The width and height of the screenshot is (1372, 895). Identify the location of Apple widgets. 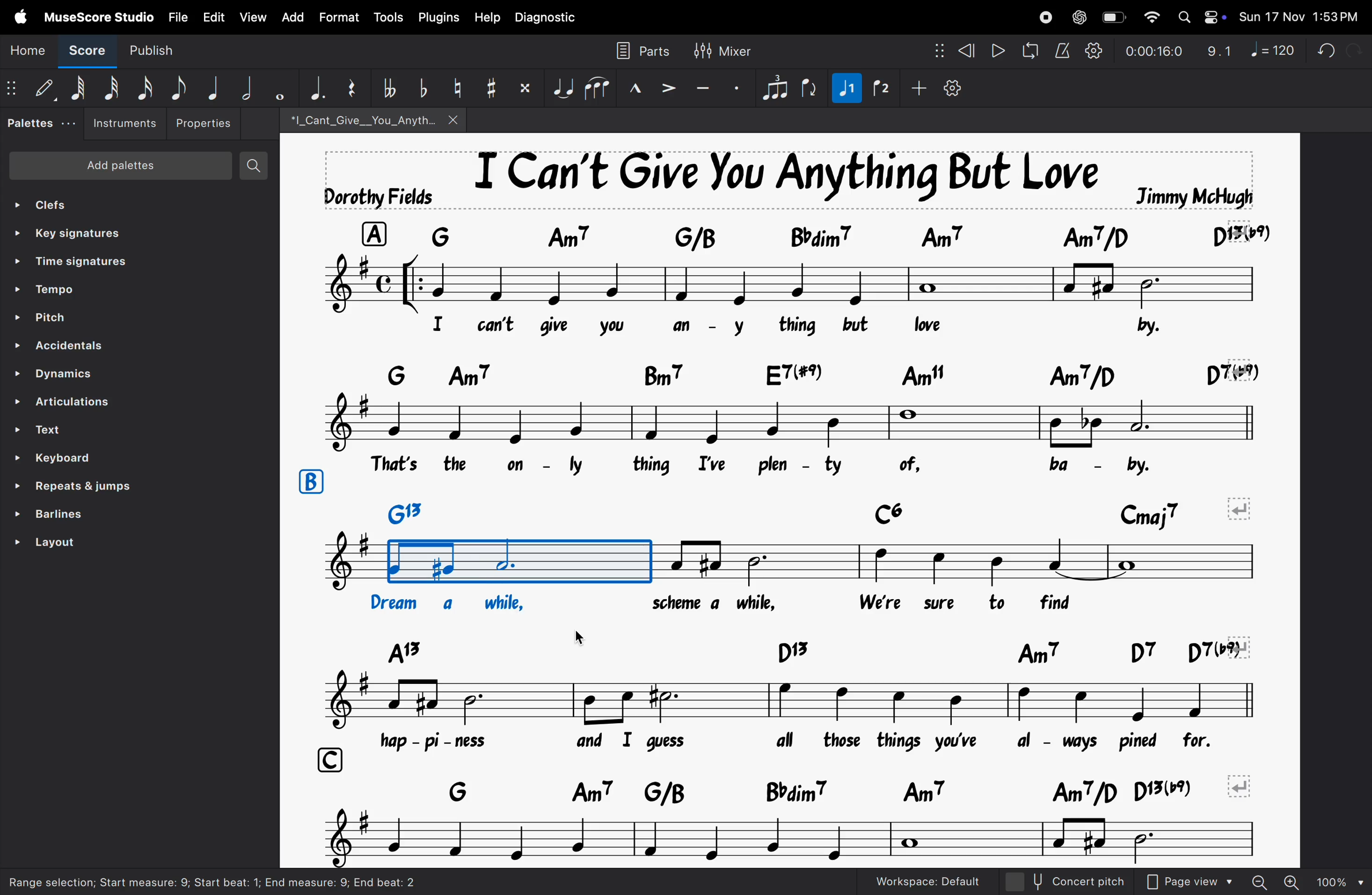
(1201, 17).